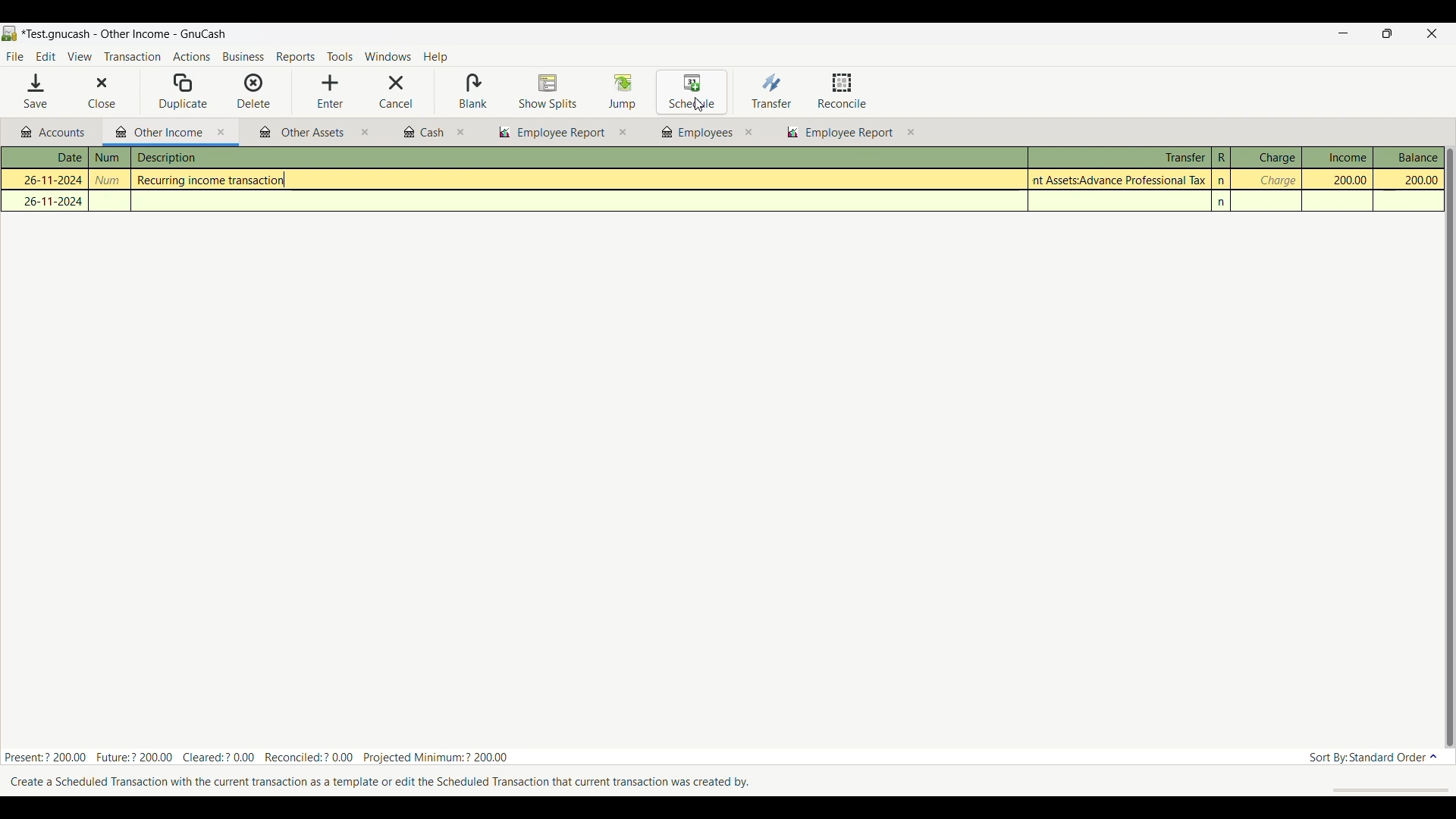 The height and width of the screenshot is (819, 1456). Describe the element at coordinates (385, 783) in the screenshot. I see `Create a Scheduled Transaction with the current transaction as a template or edit the Scheduled Transaction that current transaction was created by.` at that location.